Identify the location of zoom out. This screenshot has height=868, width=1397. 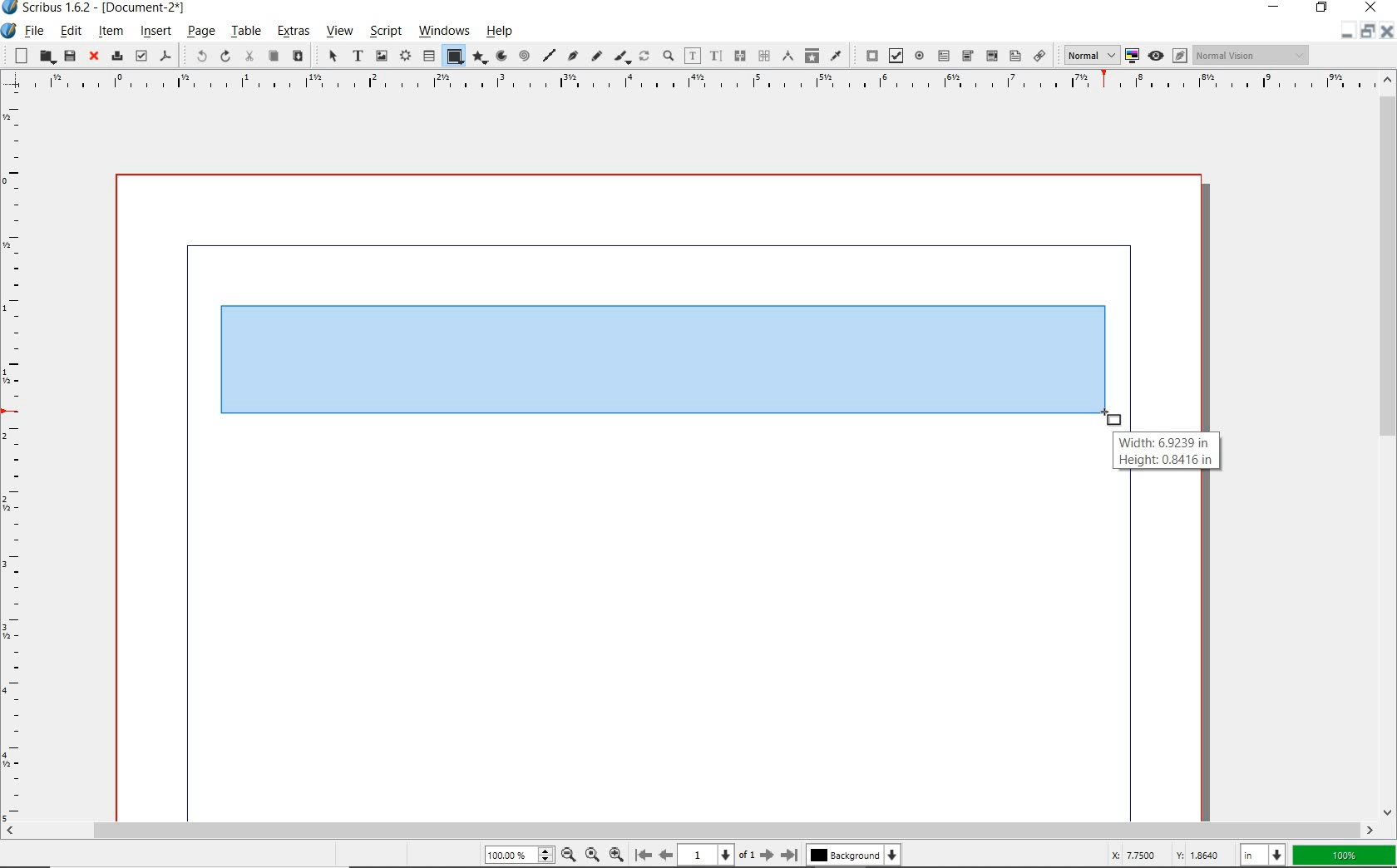
(616, 853).